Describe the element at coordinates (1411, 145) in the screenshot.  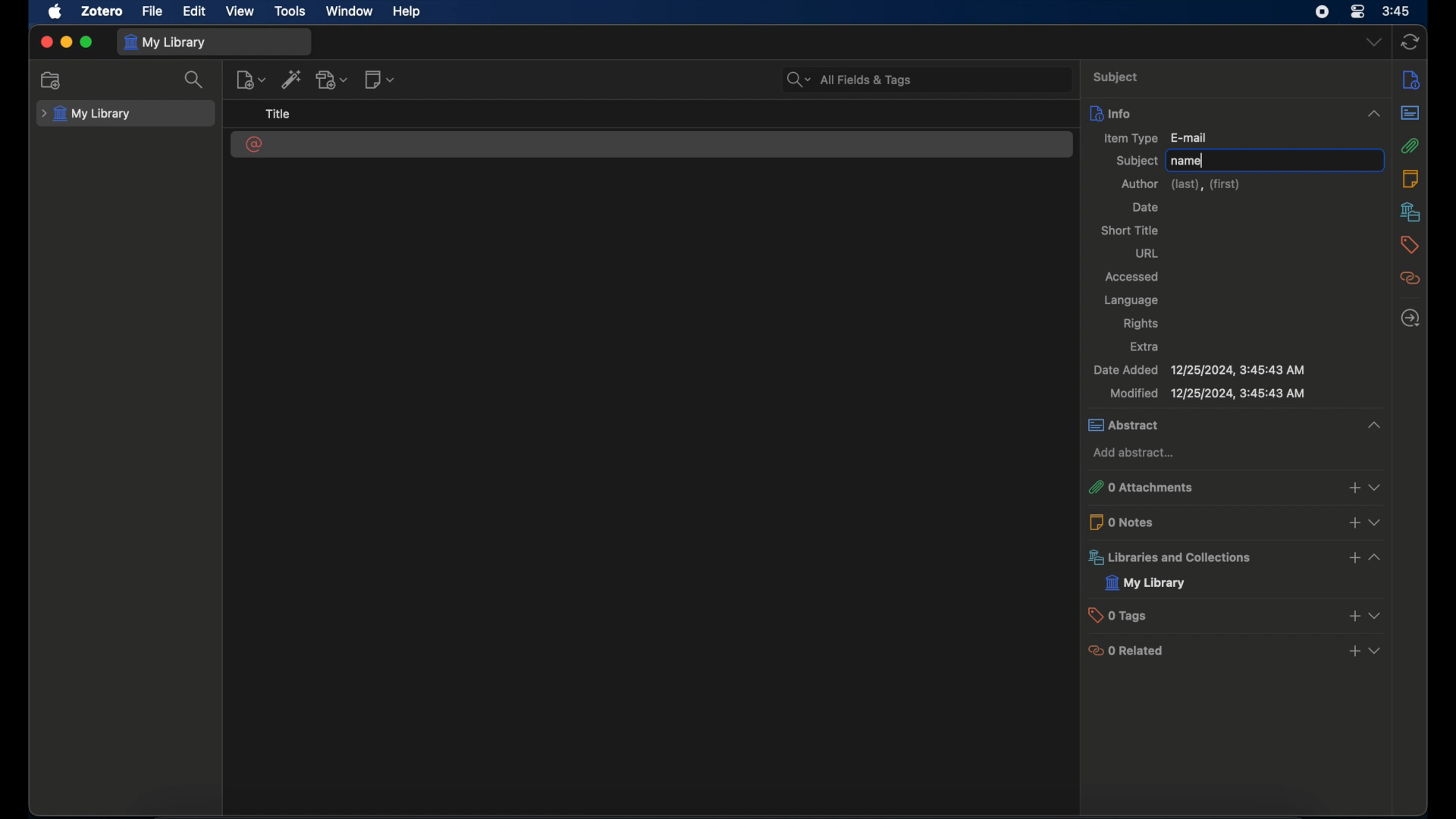
I see `attachments` at that location.